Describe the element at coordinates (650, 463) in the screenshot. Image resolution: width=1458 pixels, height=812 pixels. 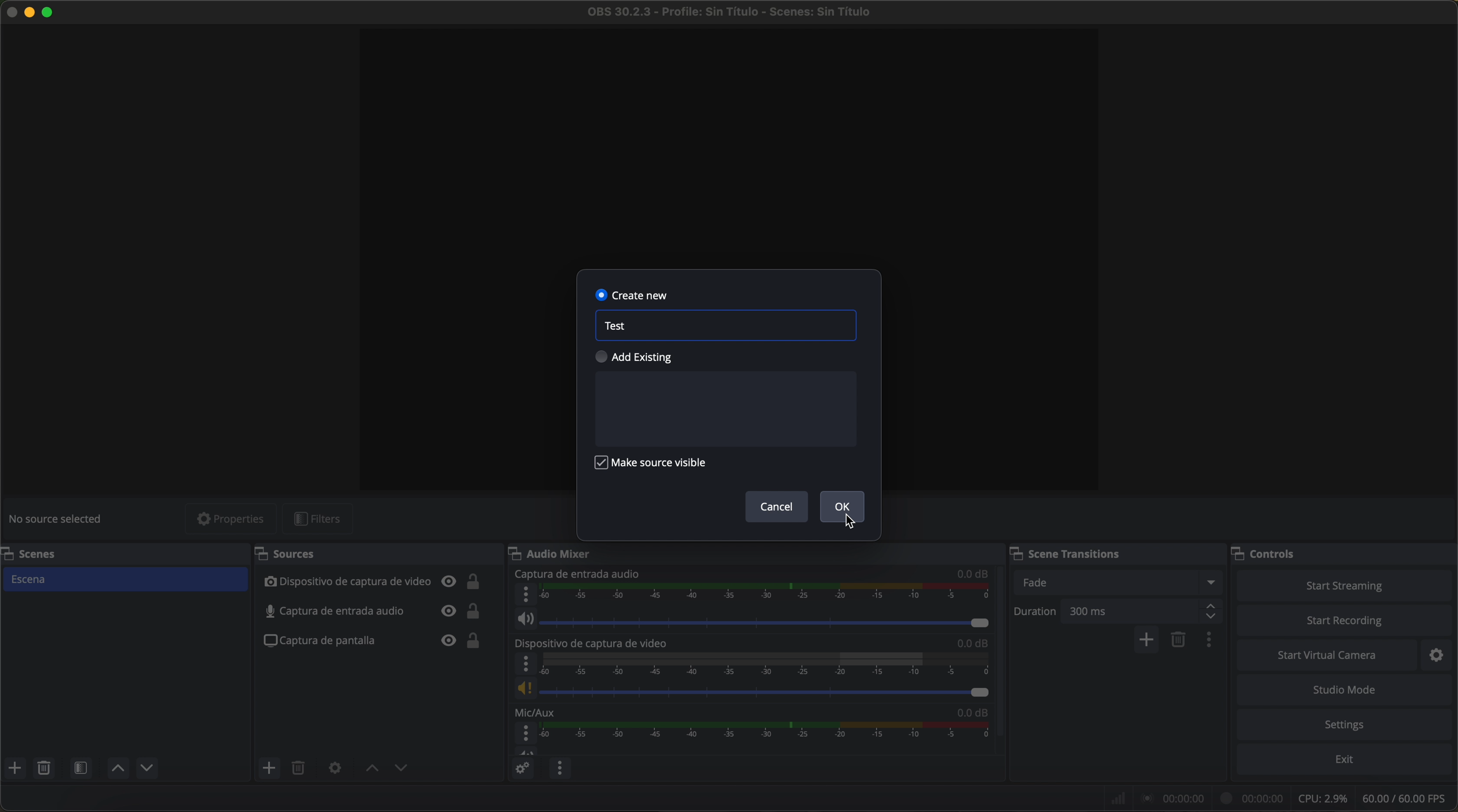
I see `make source visibile` at that location.